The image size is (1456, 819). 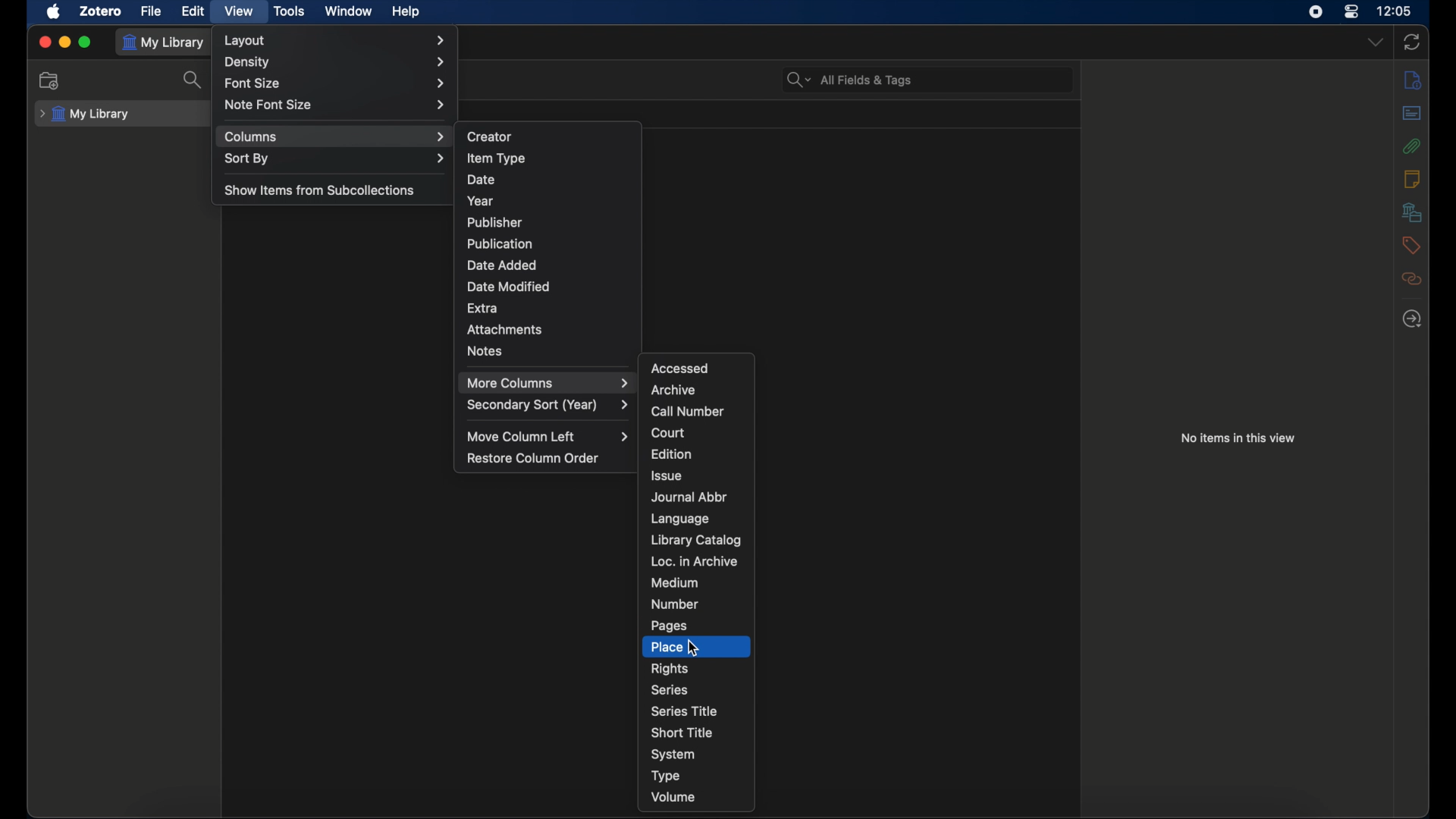 I want to click on sort by, so click(x=335, y=158).